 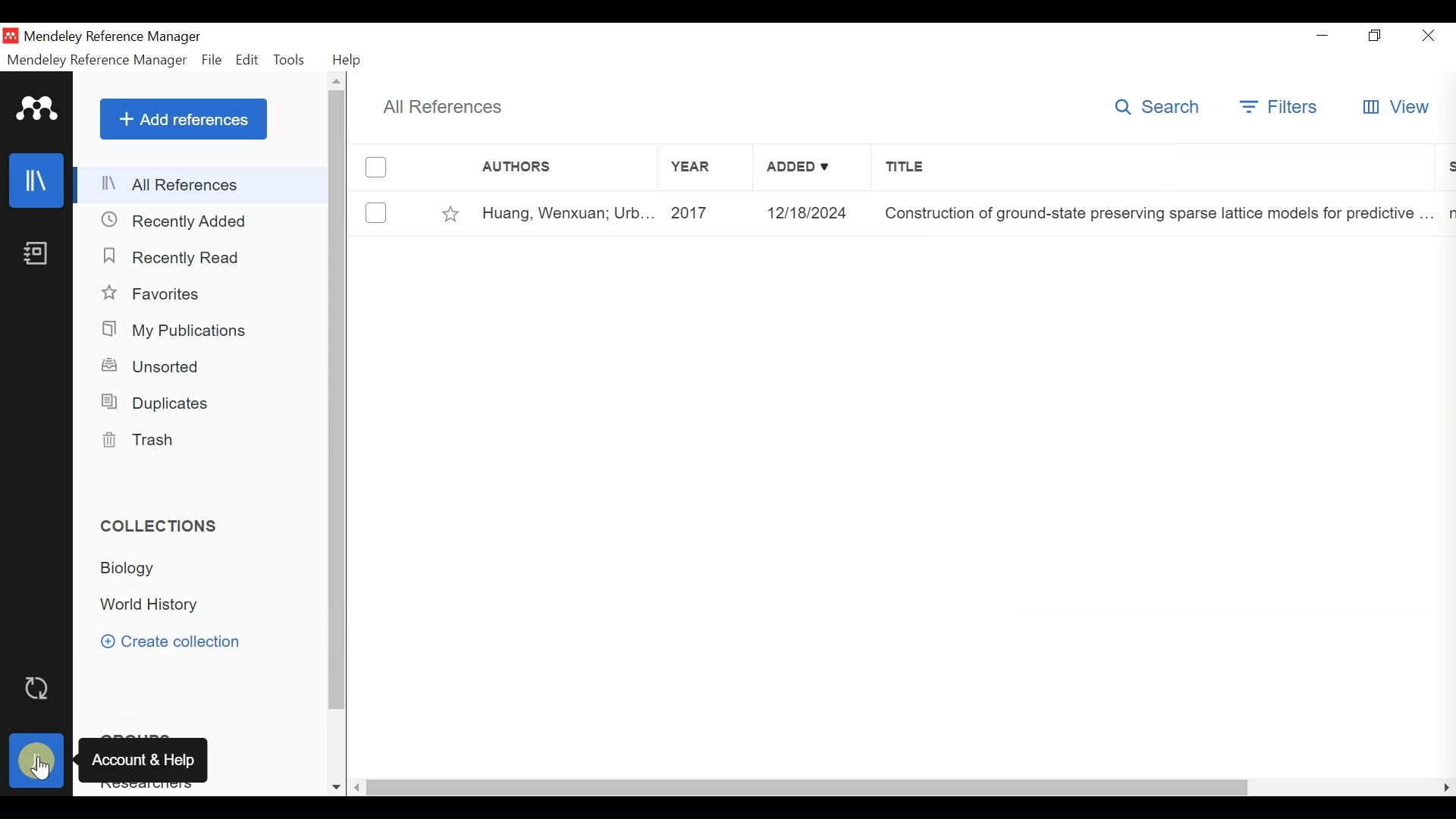 What do you see at coordinates (179, 331) in the screenshot?
I see `My Publications` at bounding box center [179, 331].